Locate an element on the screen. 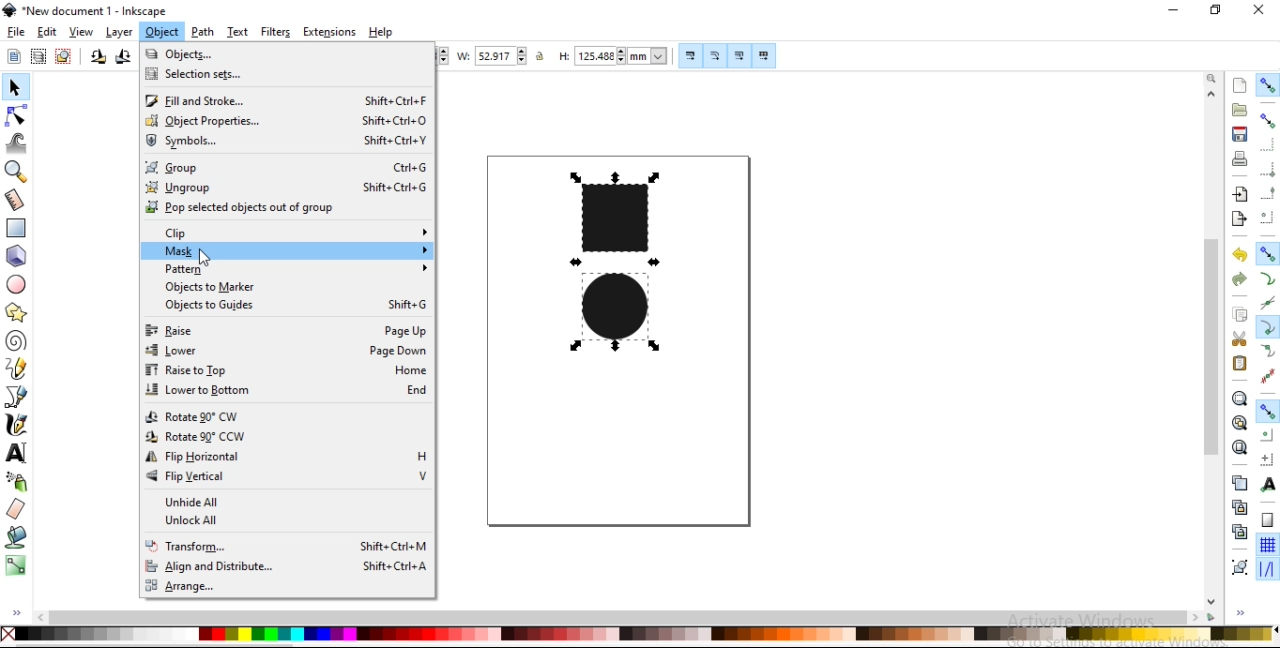 The height and width of the screenshot is (648, 1280). create rectangles and squares is located at coordinates (16, 228).